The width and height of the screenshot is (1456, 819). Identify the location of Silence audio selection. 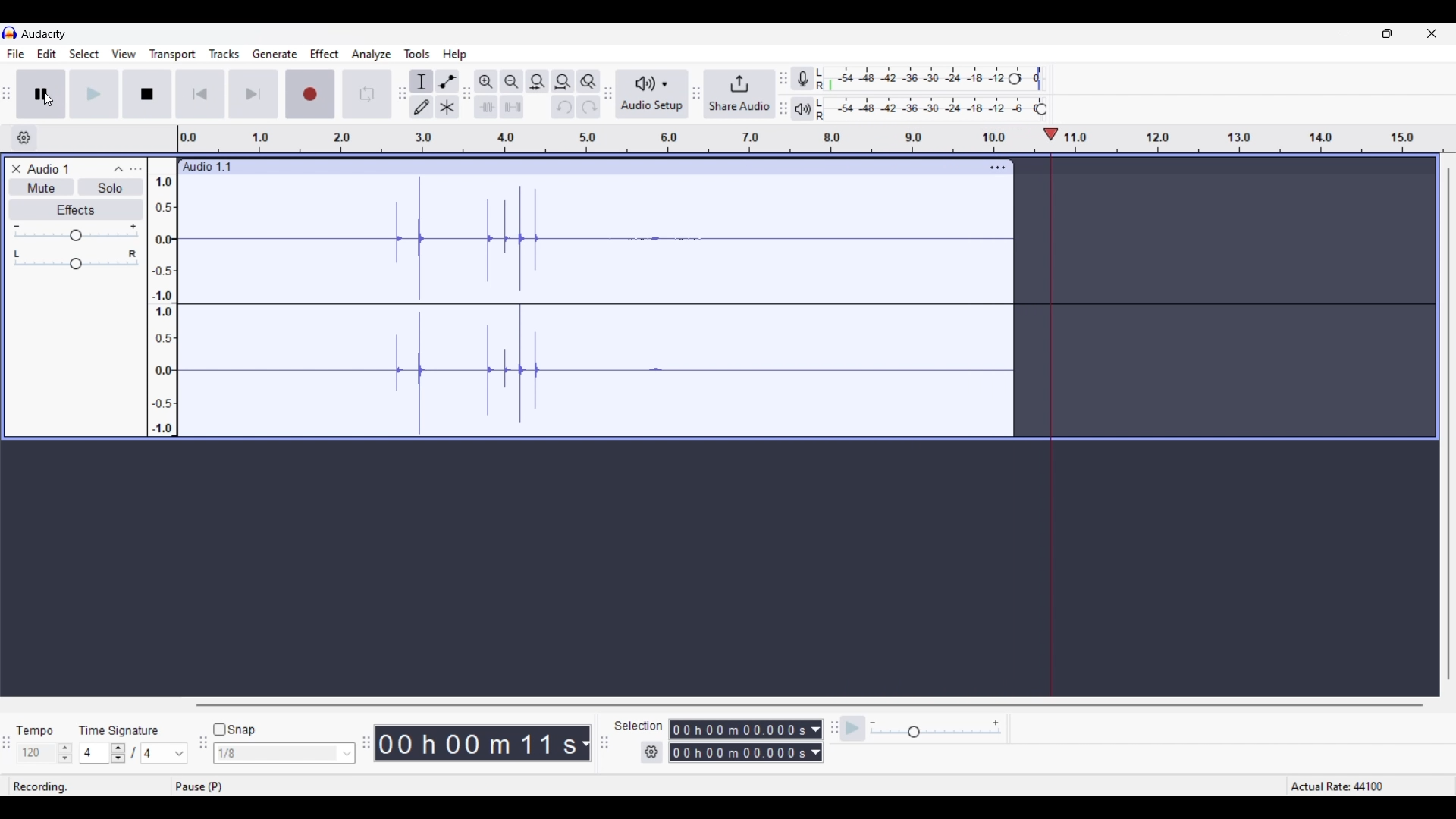
(512, 107).